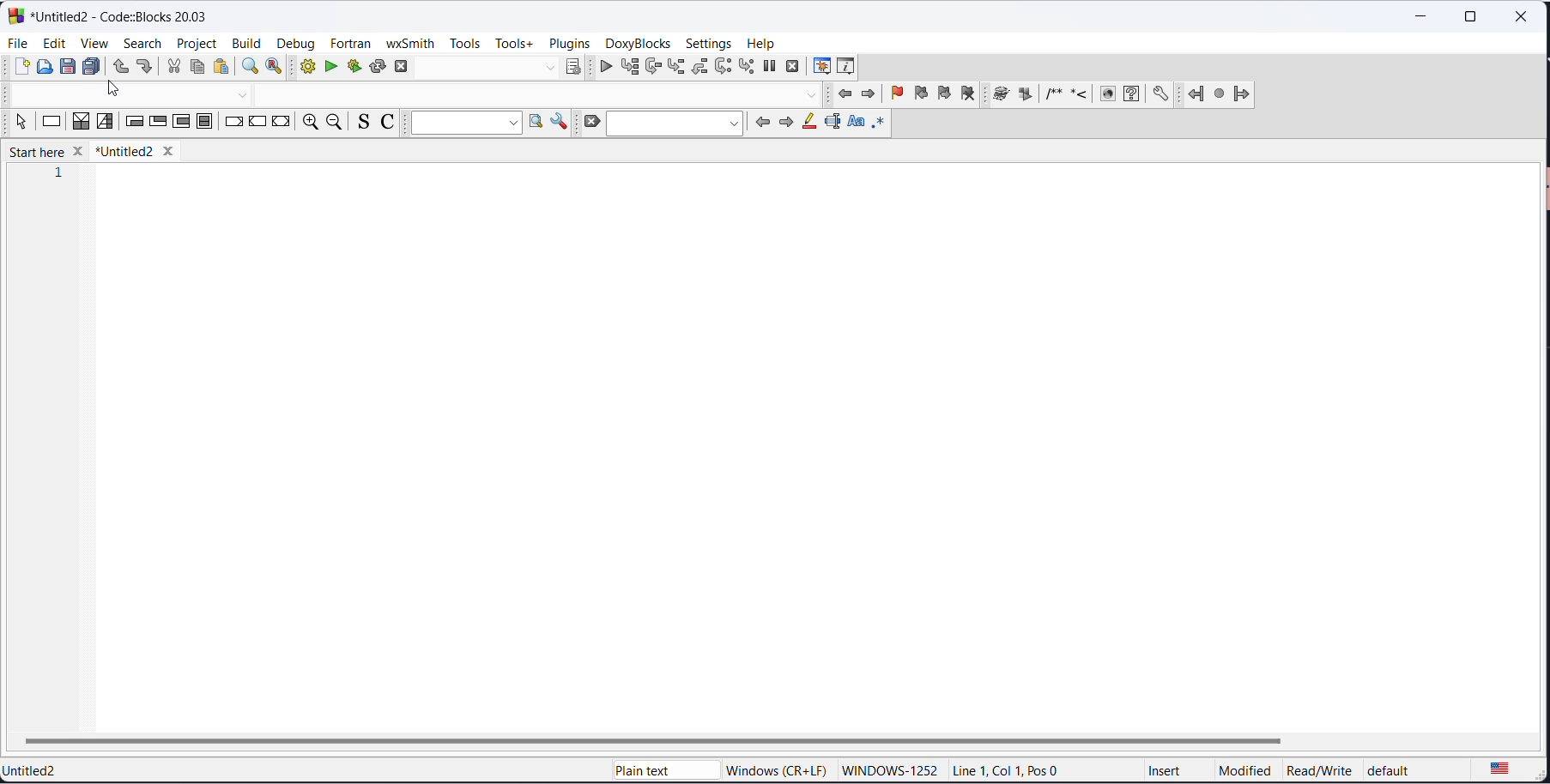  Describe the element at coordinates (250, 67) in the screenshot. I see `find` at that location.